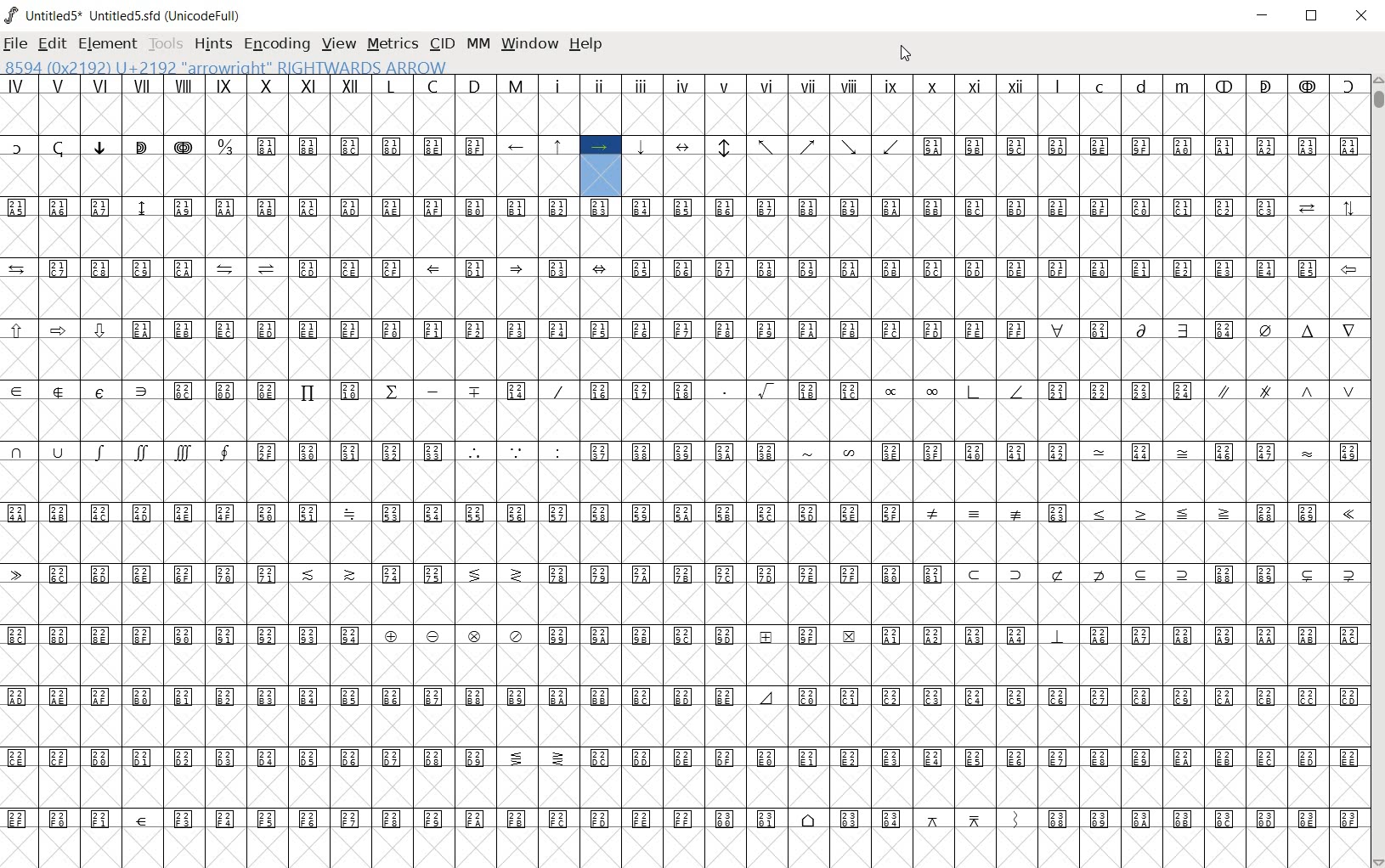  I want to click on RESTORE DOWN, so click(1313, 16).